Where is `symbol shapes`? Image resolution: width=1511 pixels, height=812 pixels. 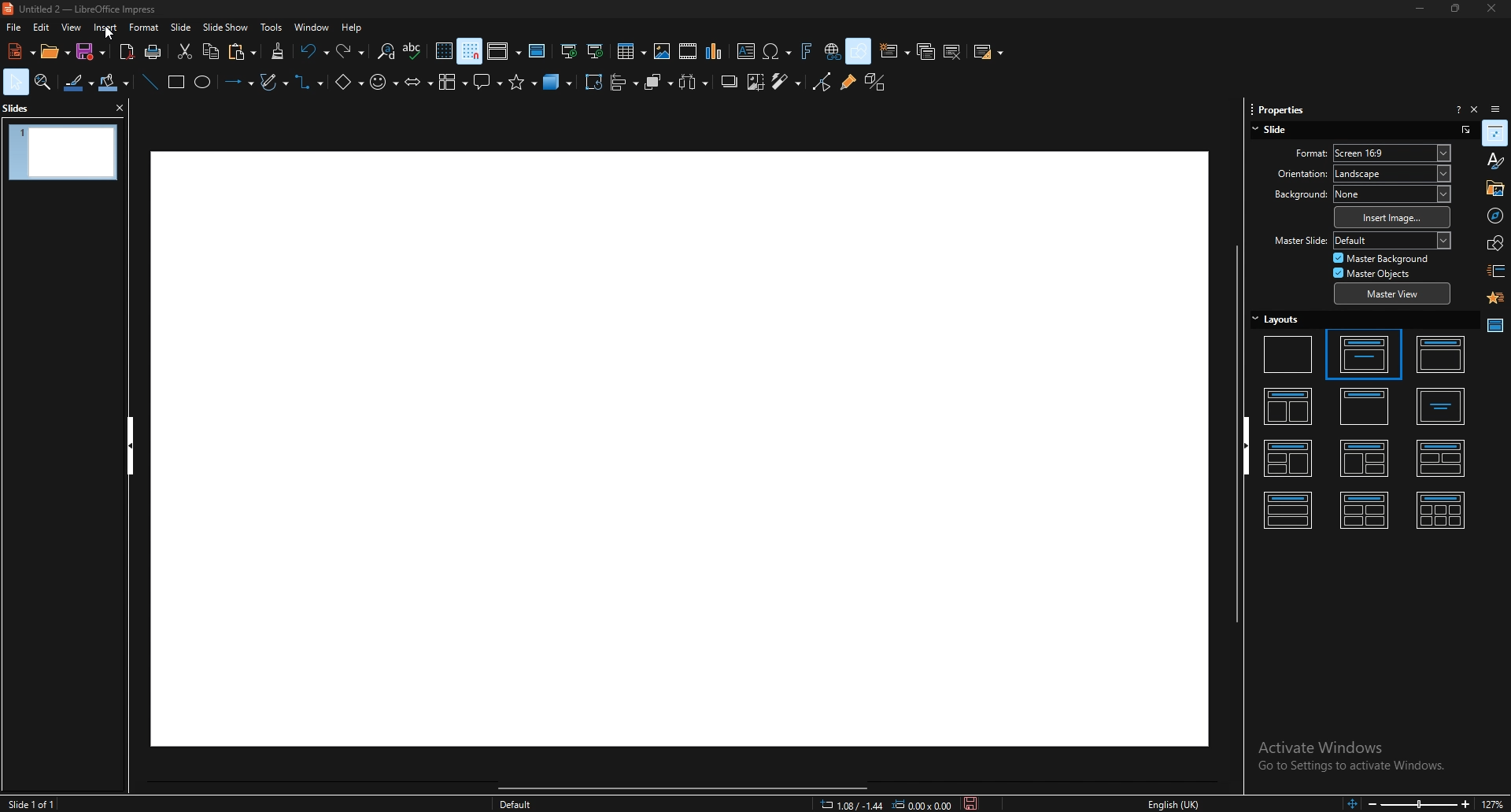
symbol shapes is located at coordinates (385, 83).